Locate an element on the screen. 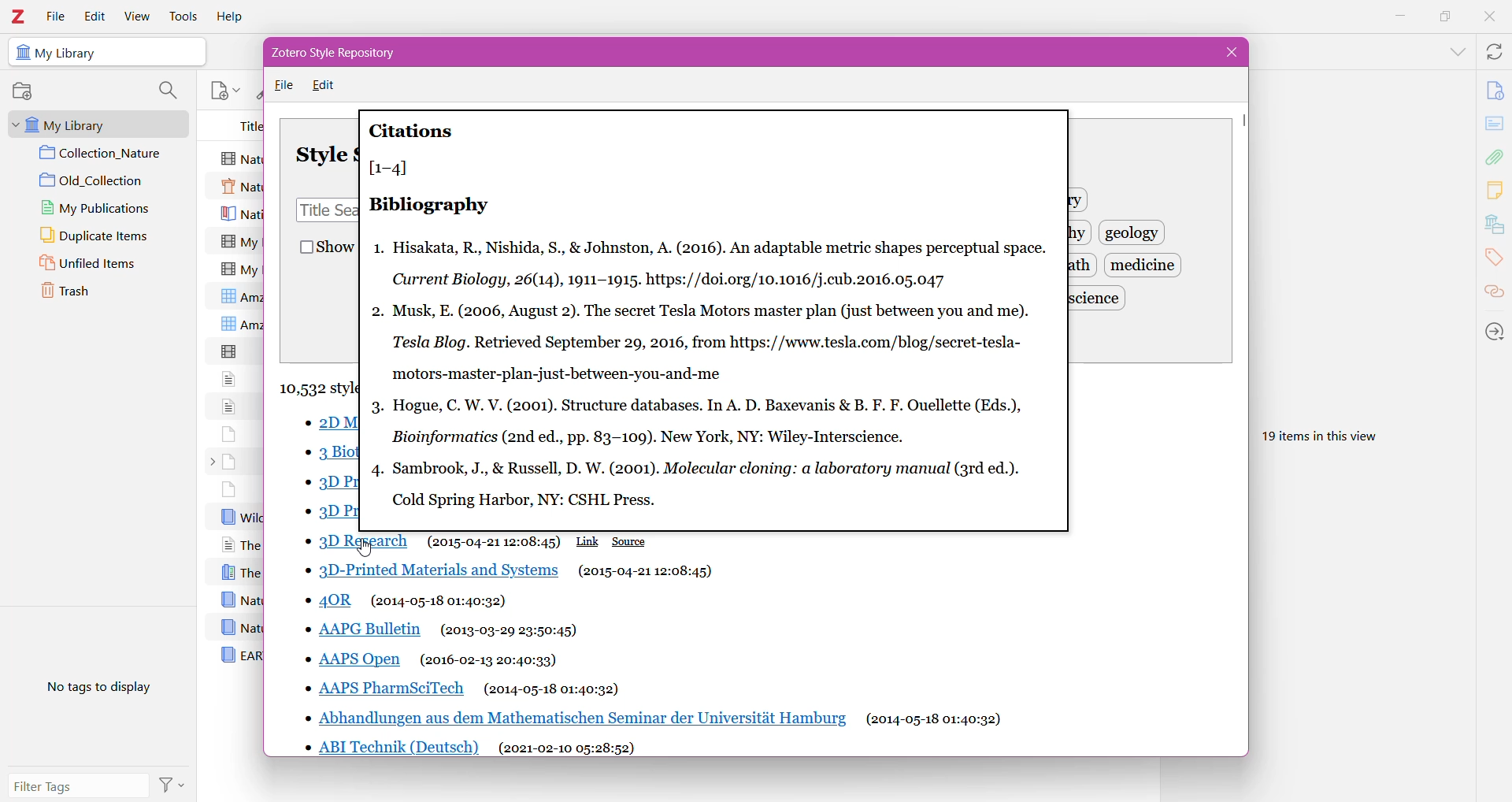  Style 5 is located at coordinates (354, 538).